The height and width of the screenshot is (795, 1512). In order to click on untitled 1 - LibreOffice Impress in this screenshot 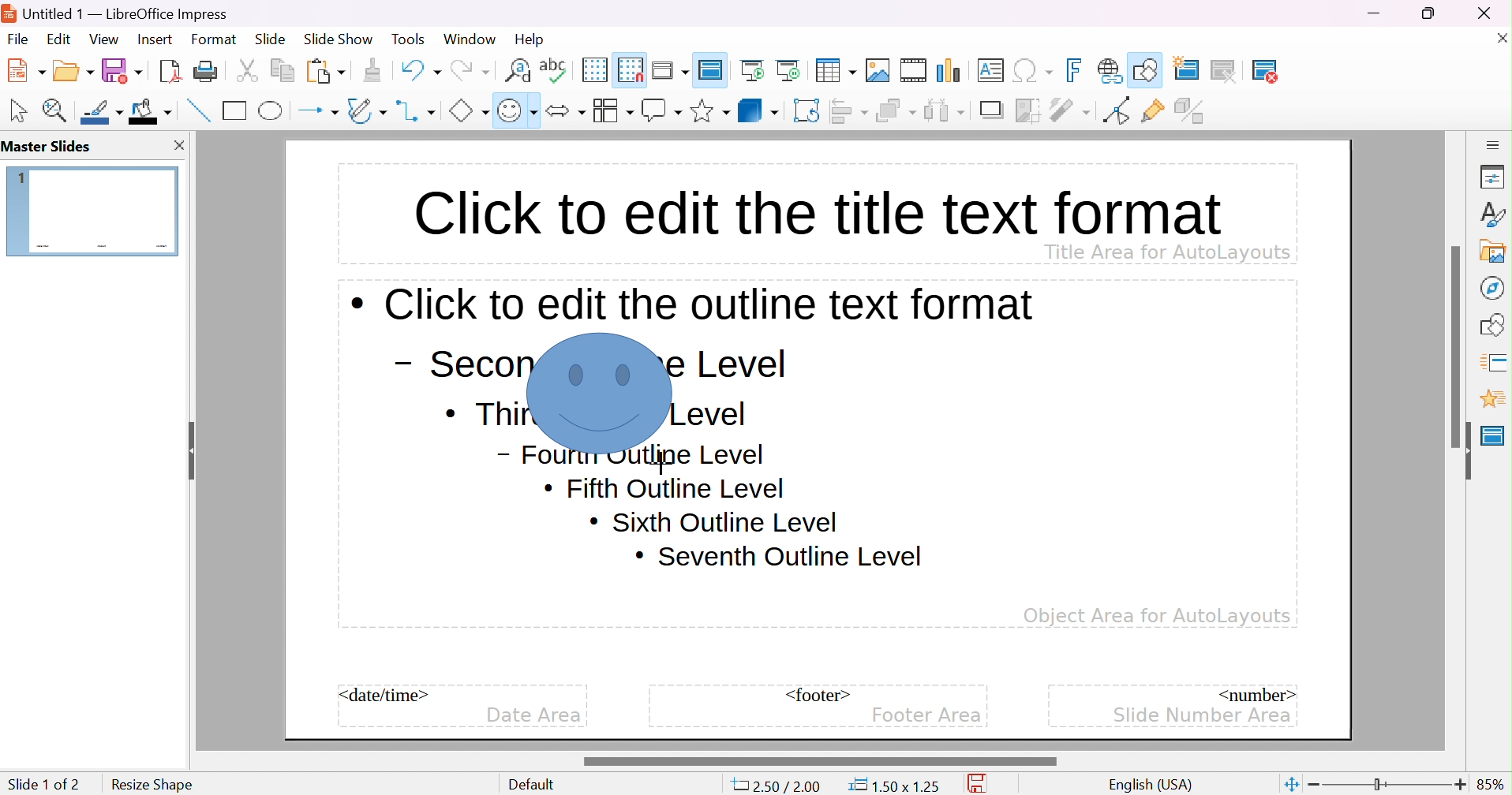, I will do `click(116, 12)`.